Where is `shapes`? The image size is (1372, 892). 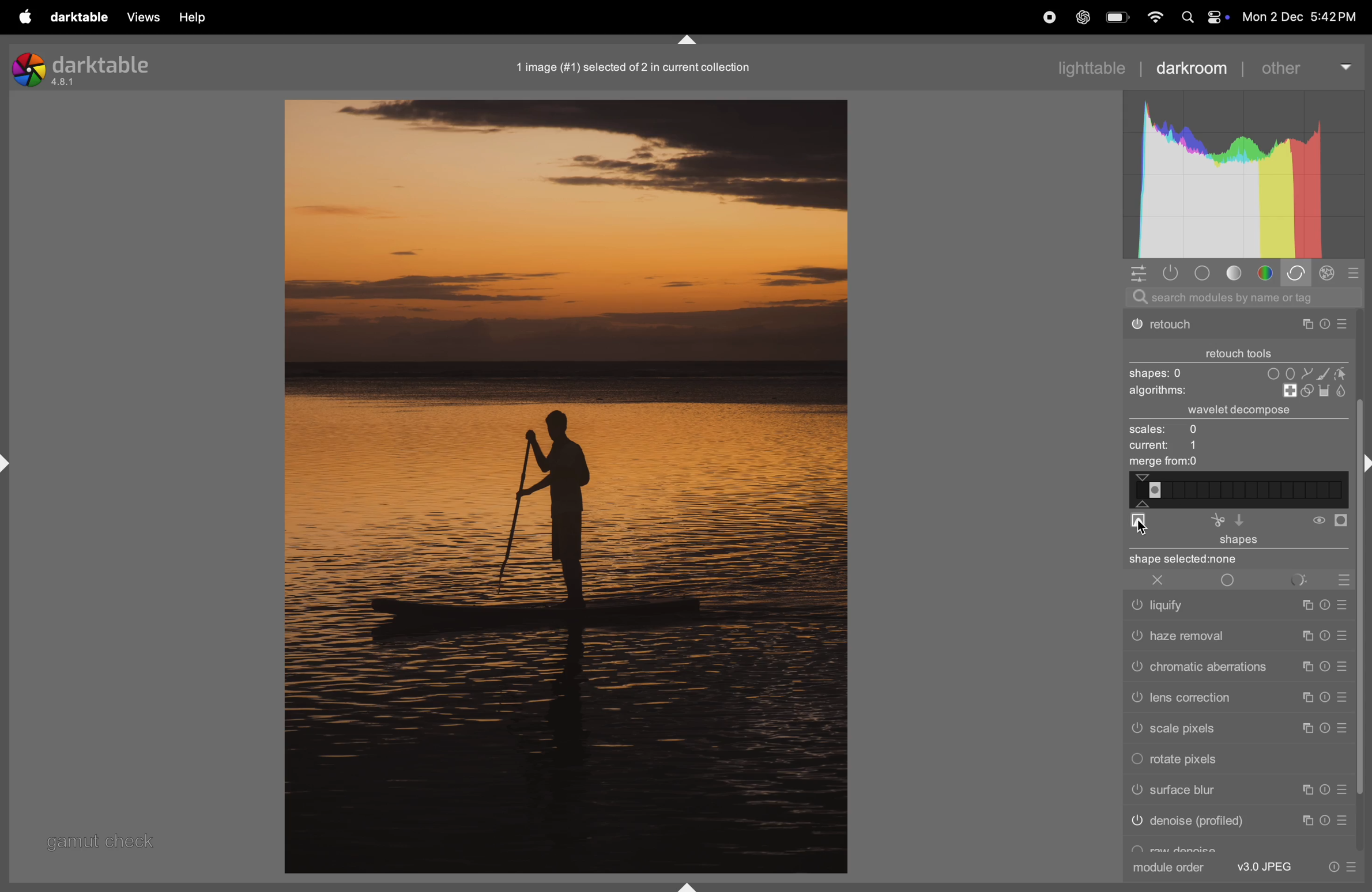
shapes is located at coordinates (1234, 372).